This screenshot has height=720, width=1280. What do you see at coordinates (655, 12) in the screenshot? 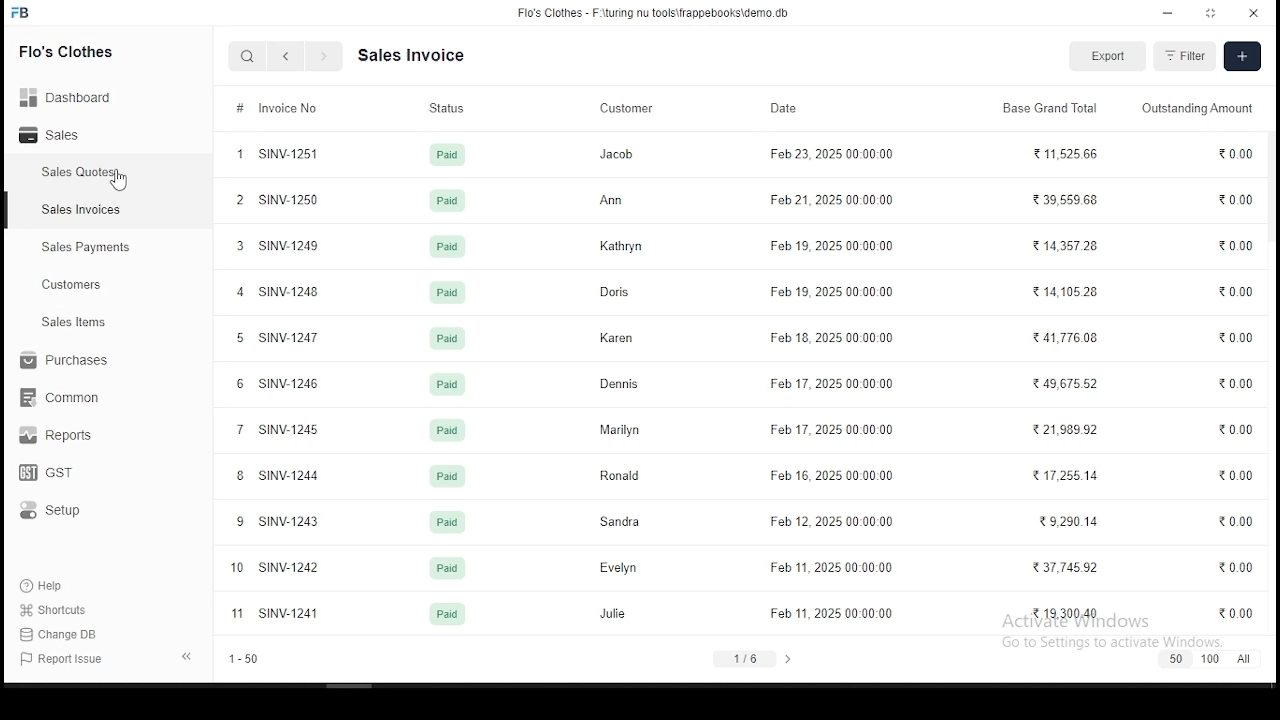
I see `Flo's Clothes - F-\turing nu tools\frappebooks\demo db` at bounding box center [655, 12].